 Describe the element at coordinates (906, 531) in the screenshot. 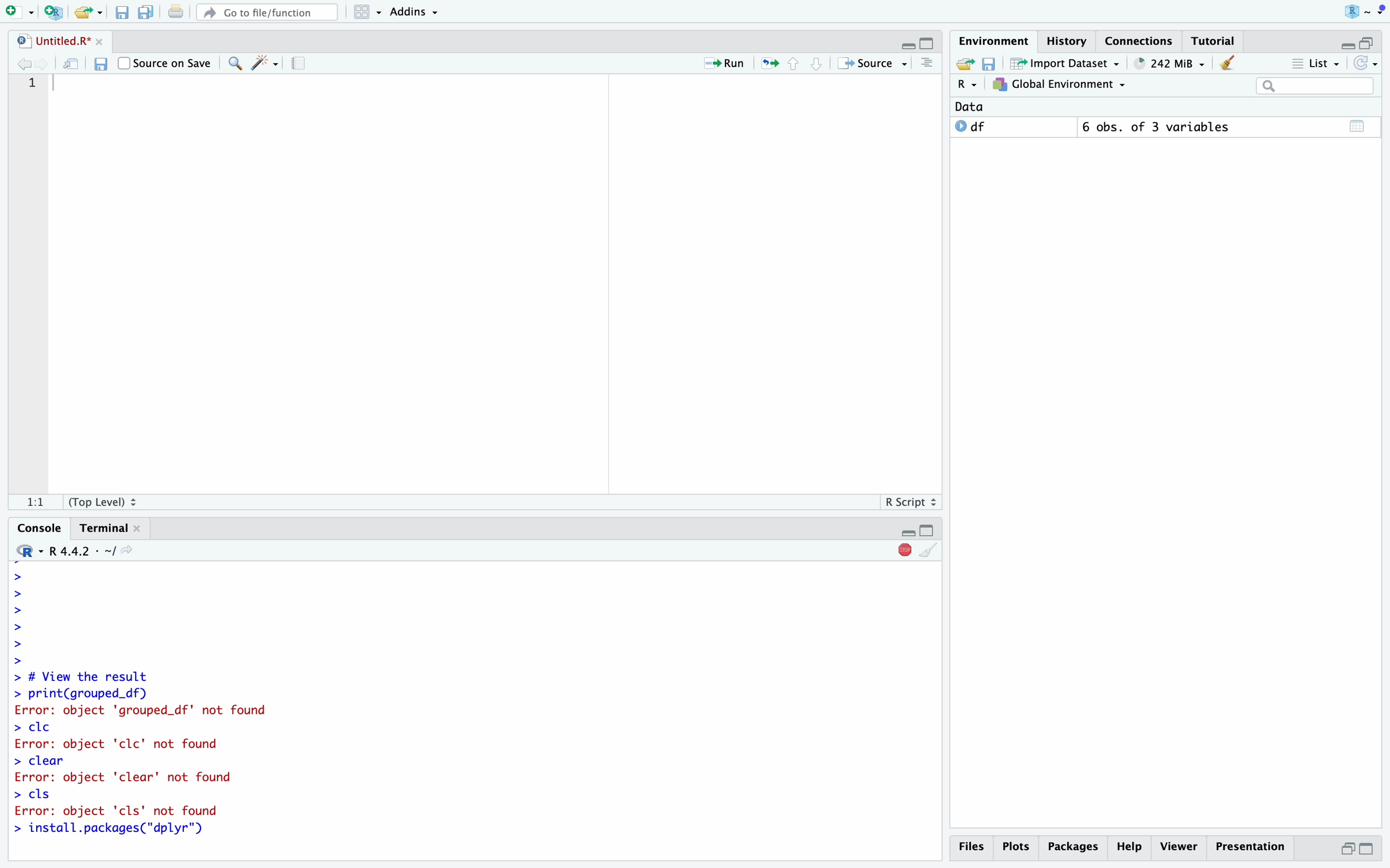

I see `Hide` at that location.